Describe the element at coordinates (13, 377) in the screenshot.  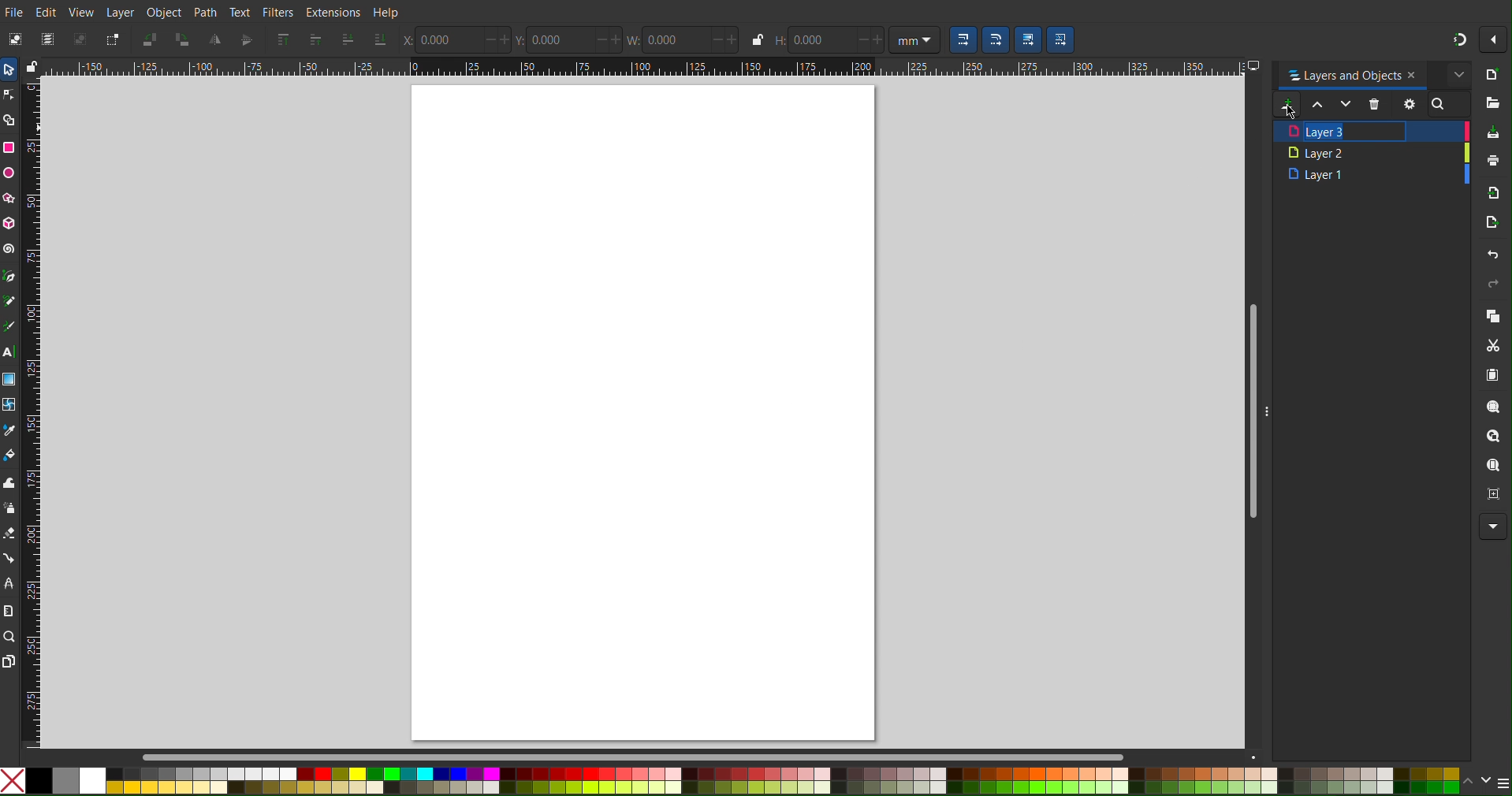
I see `Gradient Tool` at that location.